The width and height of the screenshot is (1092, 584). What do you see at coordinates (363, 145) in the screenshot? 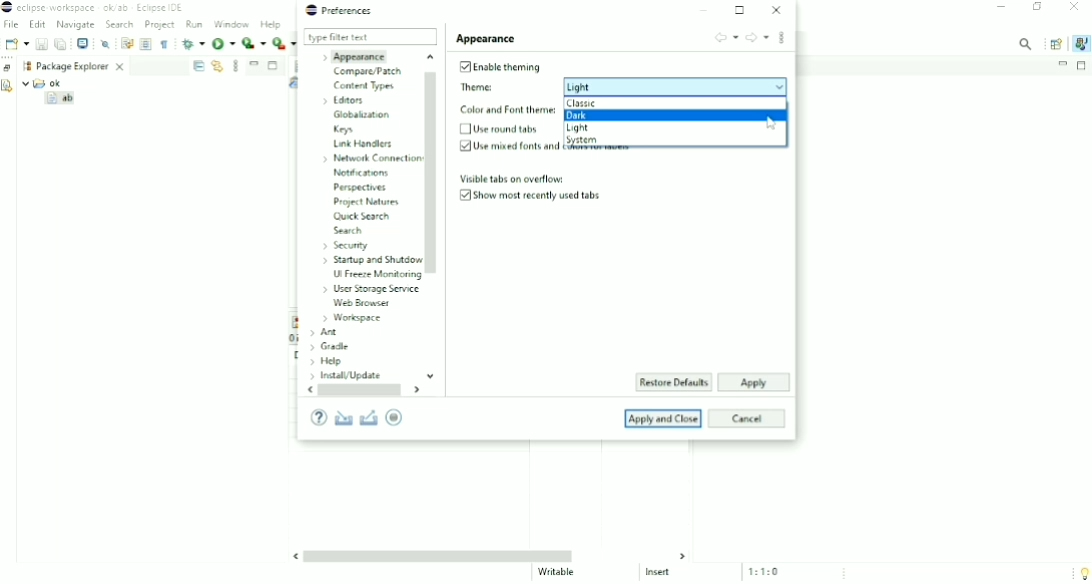
I see `Link Handlers` at bounding box center [363, 145].